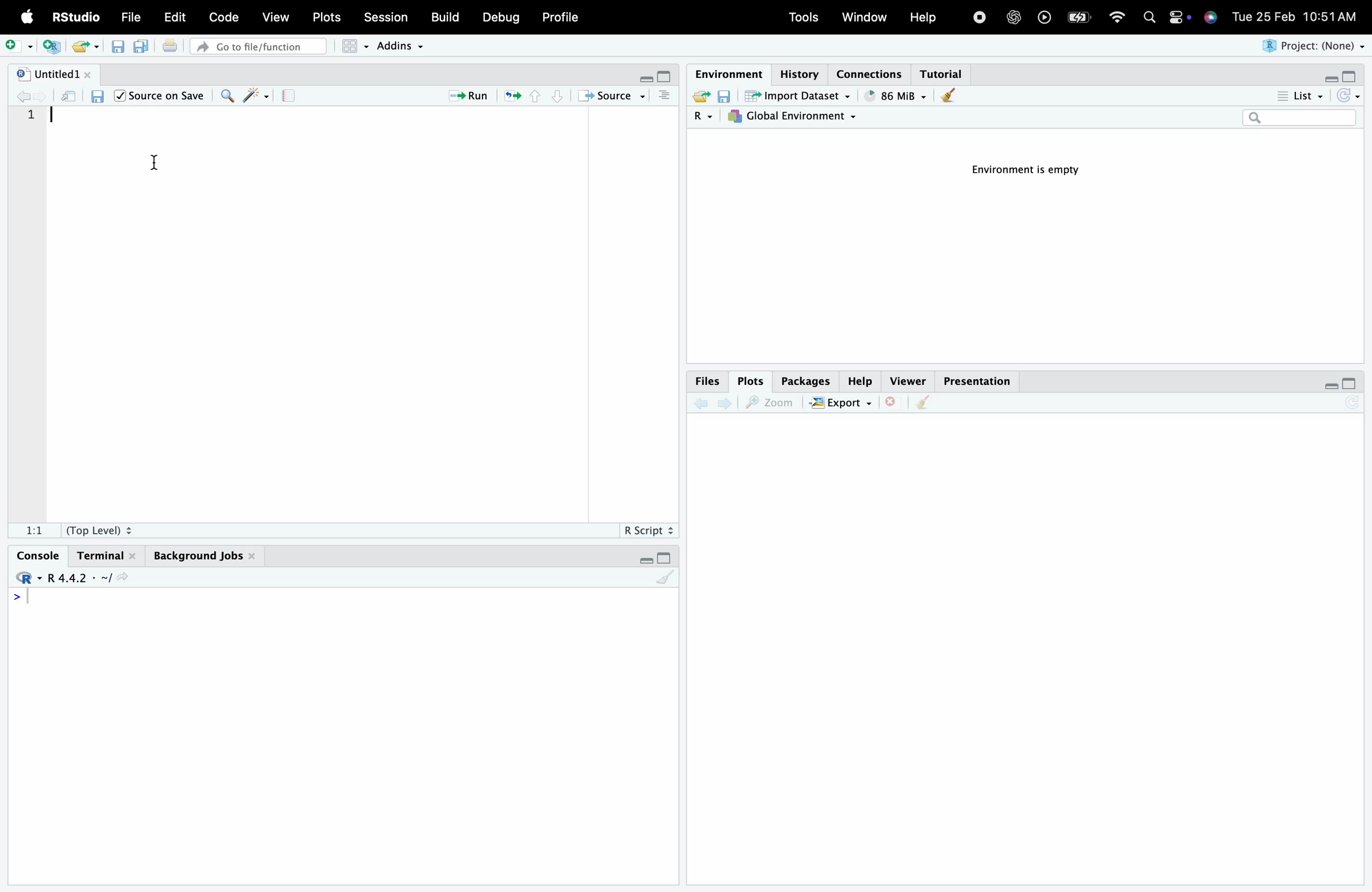  What do you see at coordinates (1020, 169) in the screenshot?
I see `Environment is empty` at bounding box center [1020, 169].